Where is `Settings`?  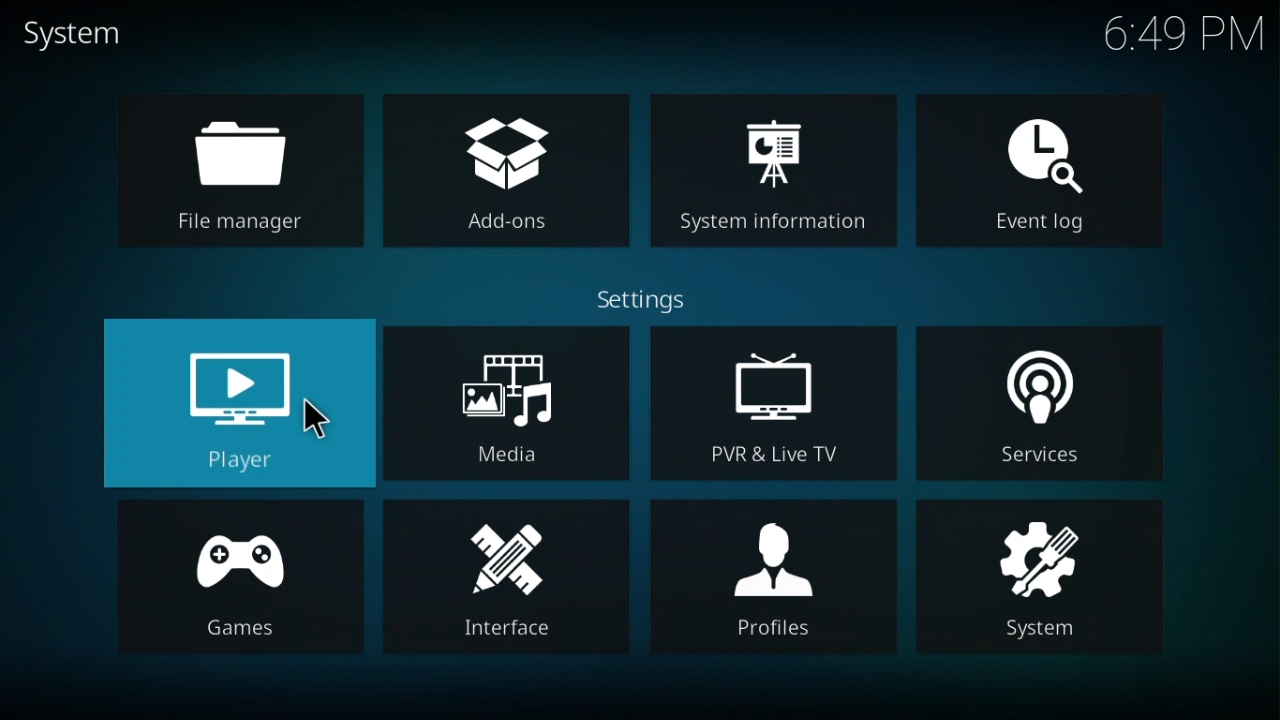 Settings is located at coordinates (647, 295).